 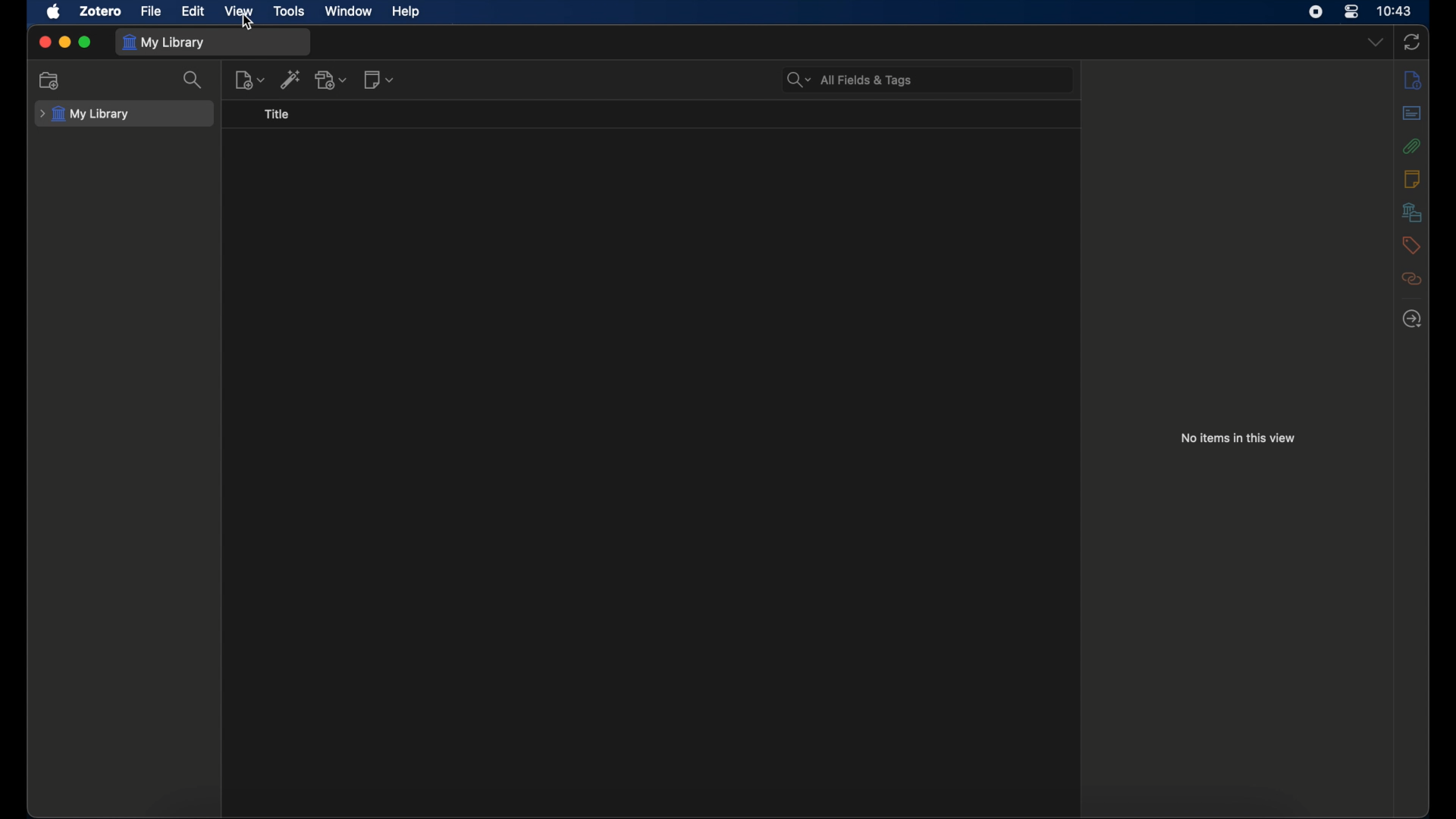 What do you see at coordinates (194, 80) in the screenshot?
I see `search` at bounding box center [194, 80].